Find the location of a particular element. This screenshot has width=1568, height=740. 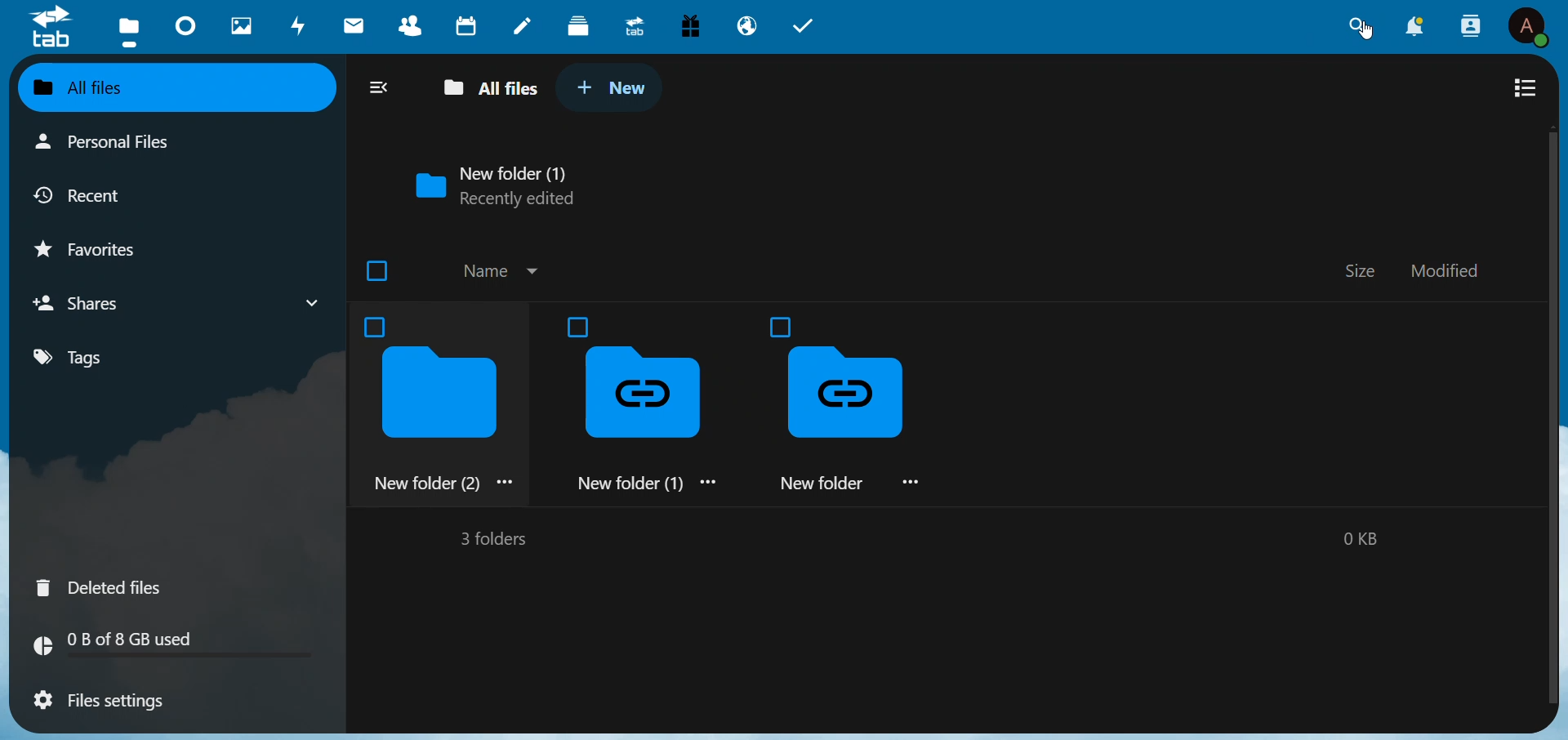

name is located at coordinates (494, 273).